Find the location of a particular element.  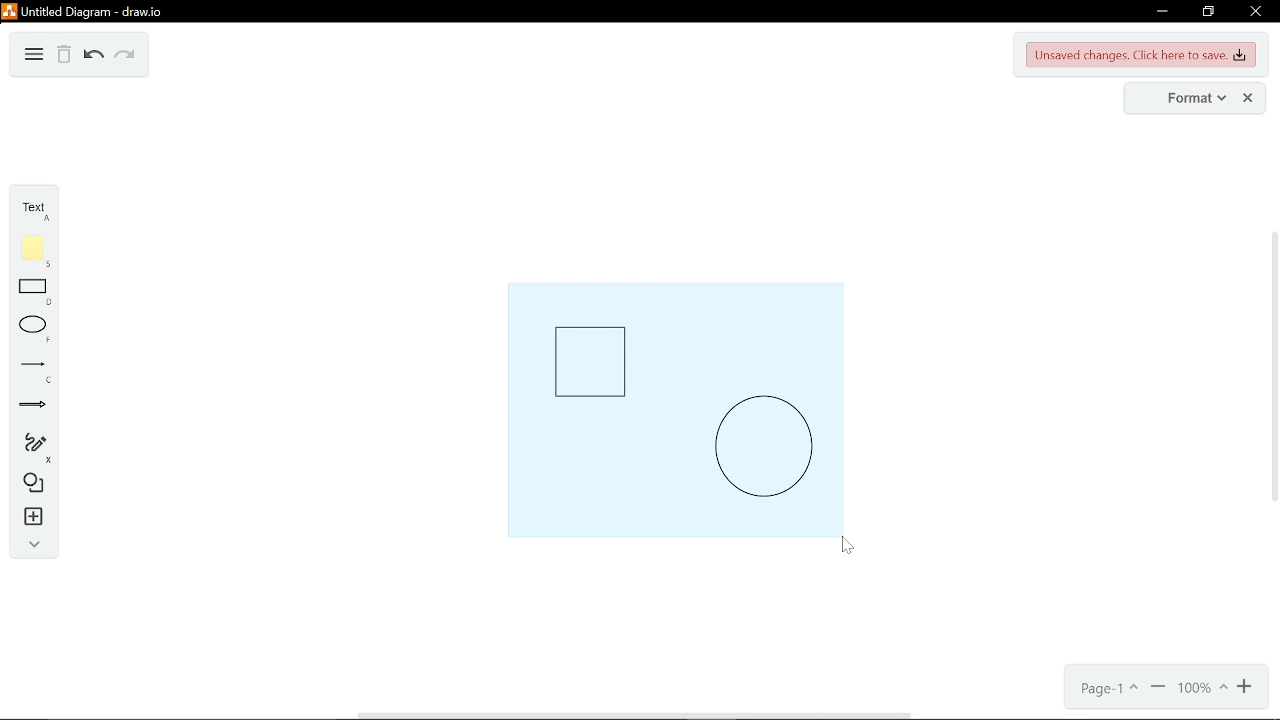

rectangle is located at coordinates (32, 294).